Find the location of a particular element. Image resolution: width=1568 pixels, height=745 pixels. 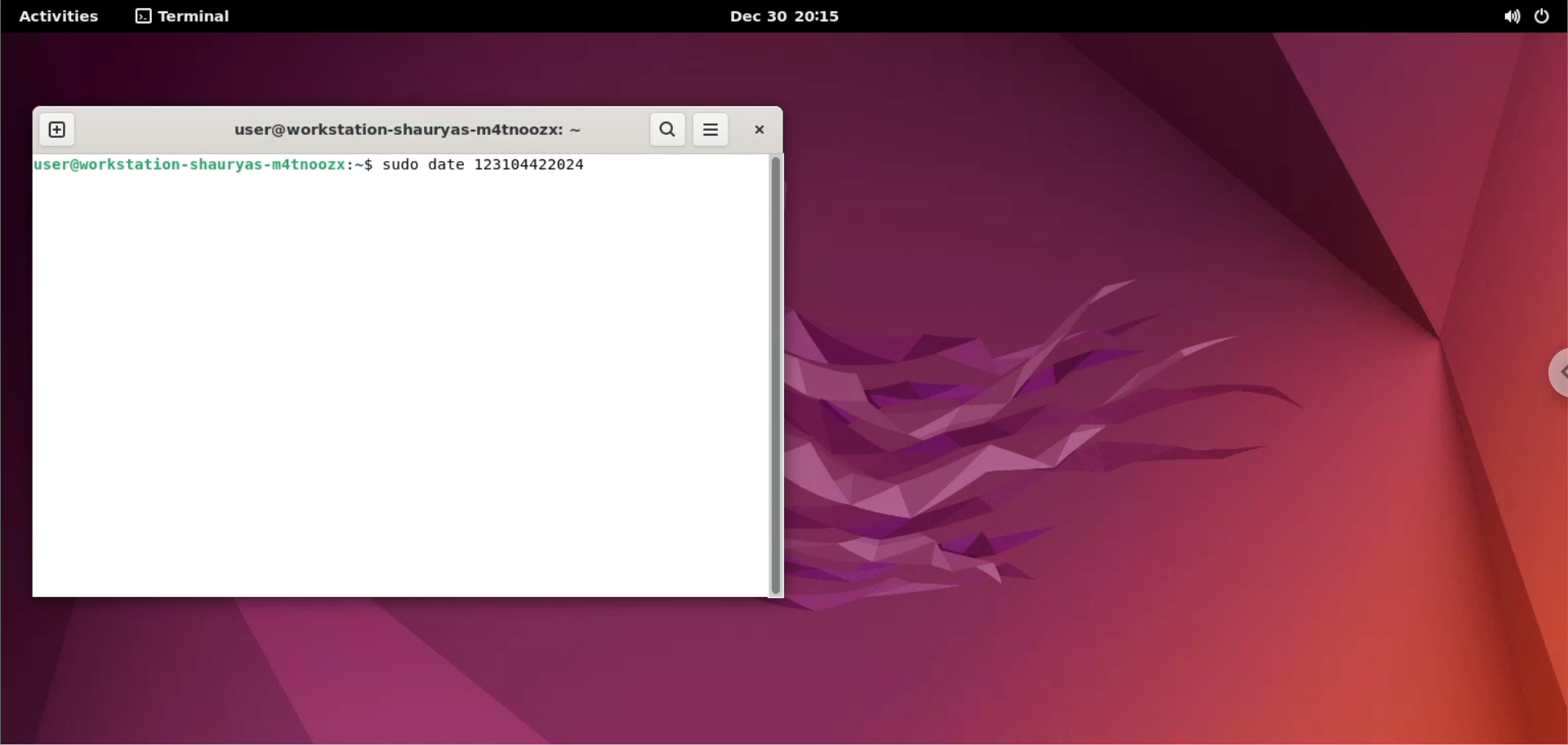

TERMINAL is located at coordinates (185, 16).